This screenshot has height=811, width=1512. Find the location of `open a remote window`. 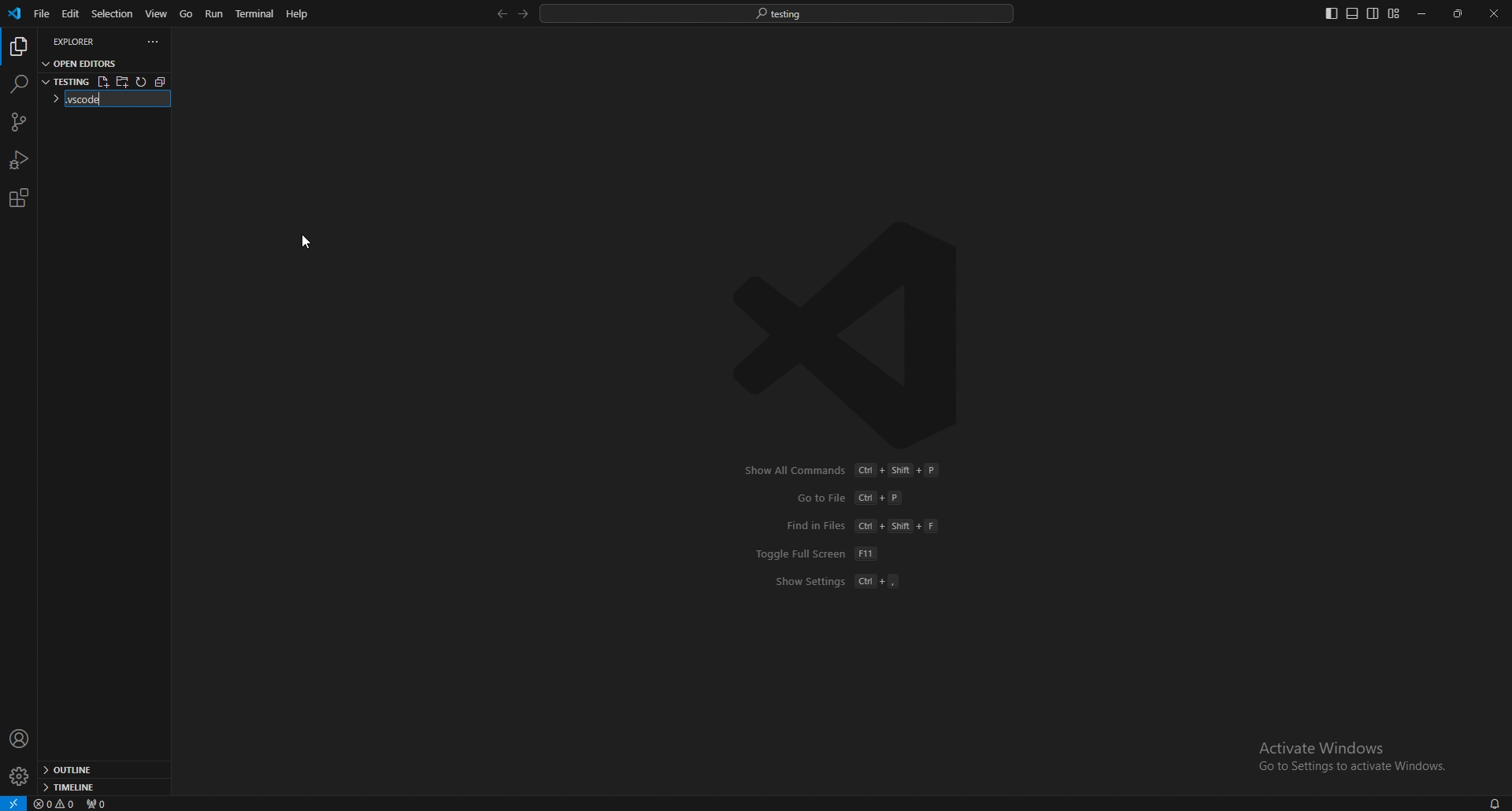

open a remote window is located at coordinates (13, 802).